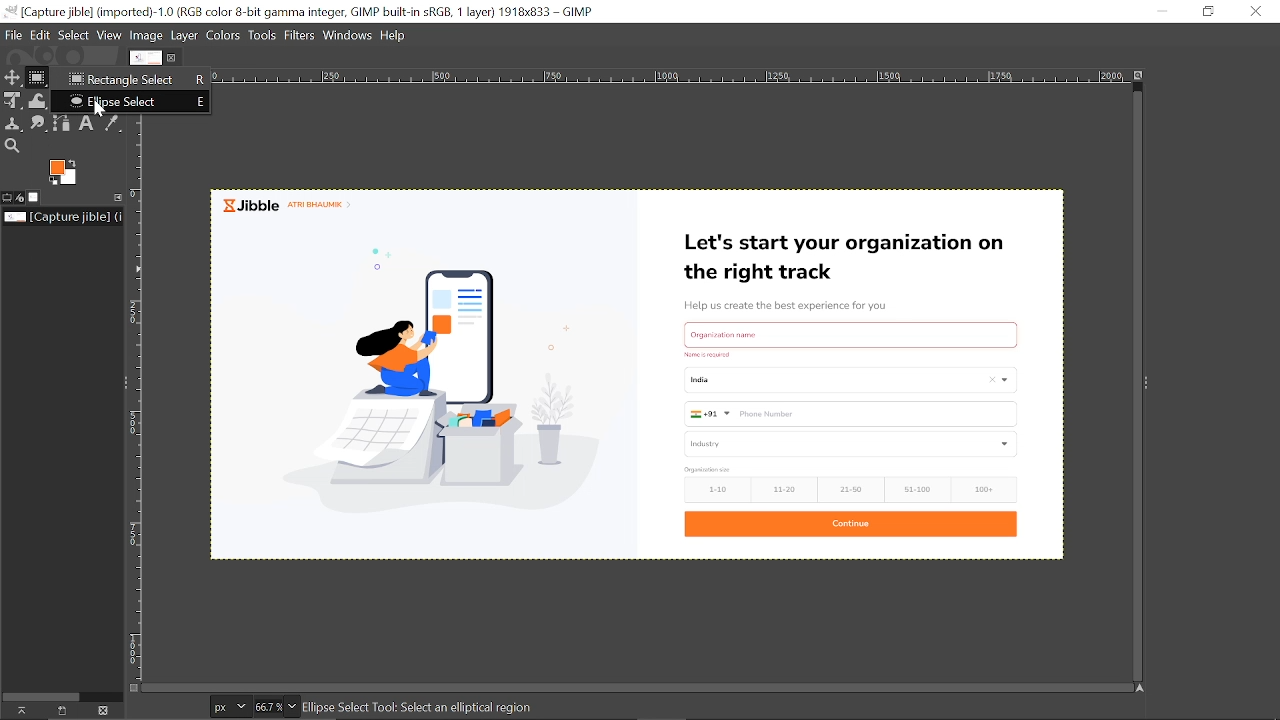 The width and height of the screenshot is (1280, 720). I want to click on Rectangular select, so click(36, 81).